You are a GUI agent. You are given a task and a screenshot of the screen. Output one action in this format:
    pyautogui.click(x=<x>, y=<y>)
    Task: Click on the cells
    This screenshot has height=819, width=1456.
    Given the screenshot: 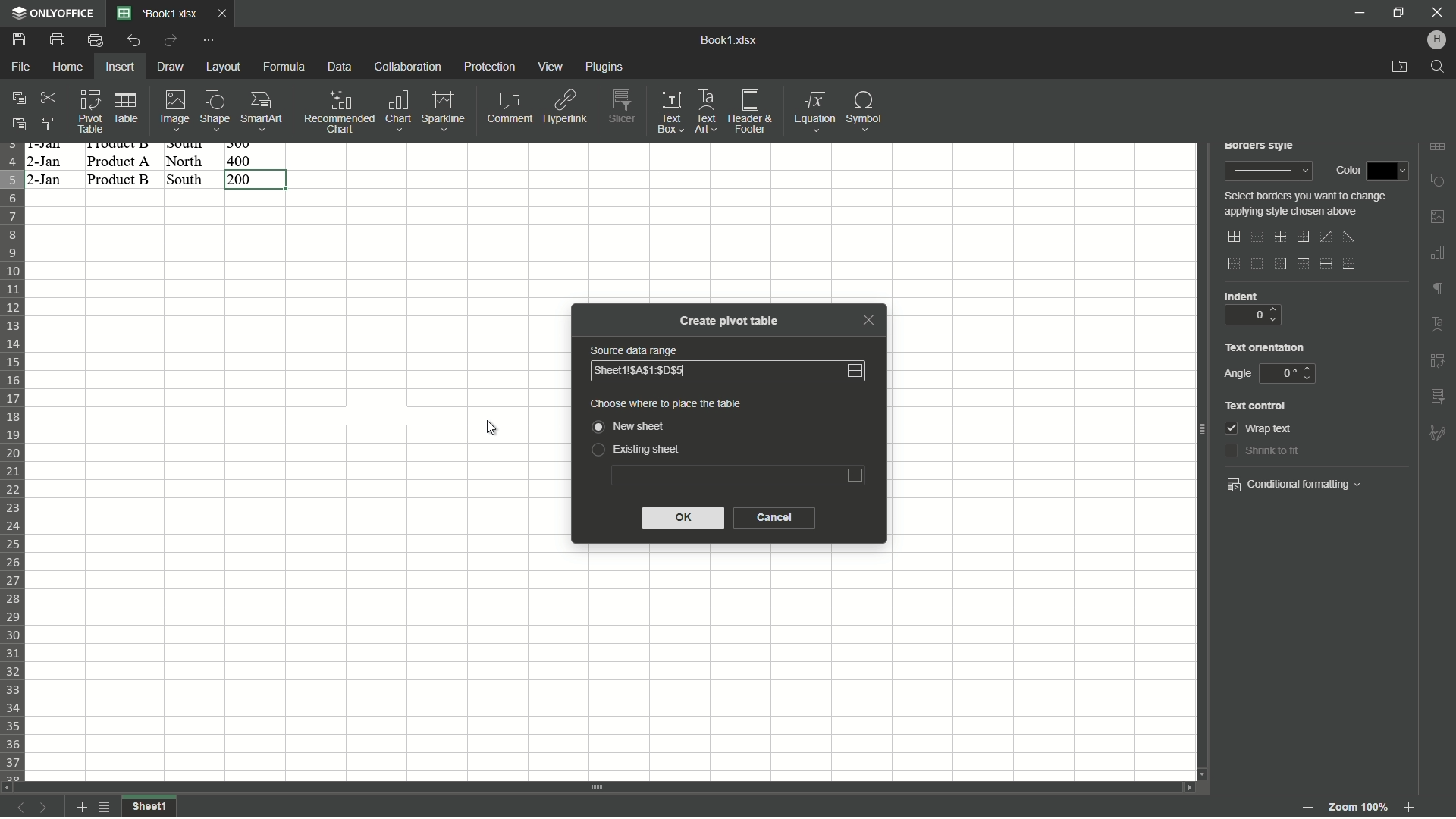 What is the action you would take?
    pyautogui.click(x=250, y=485)
    